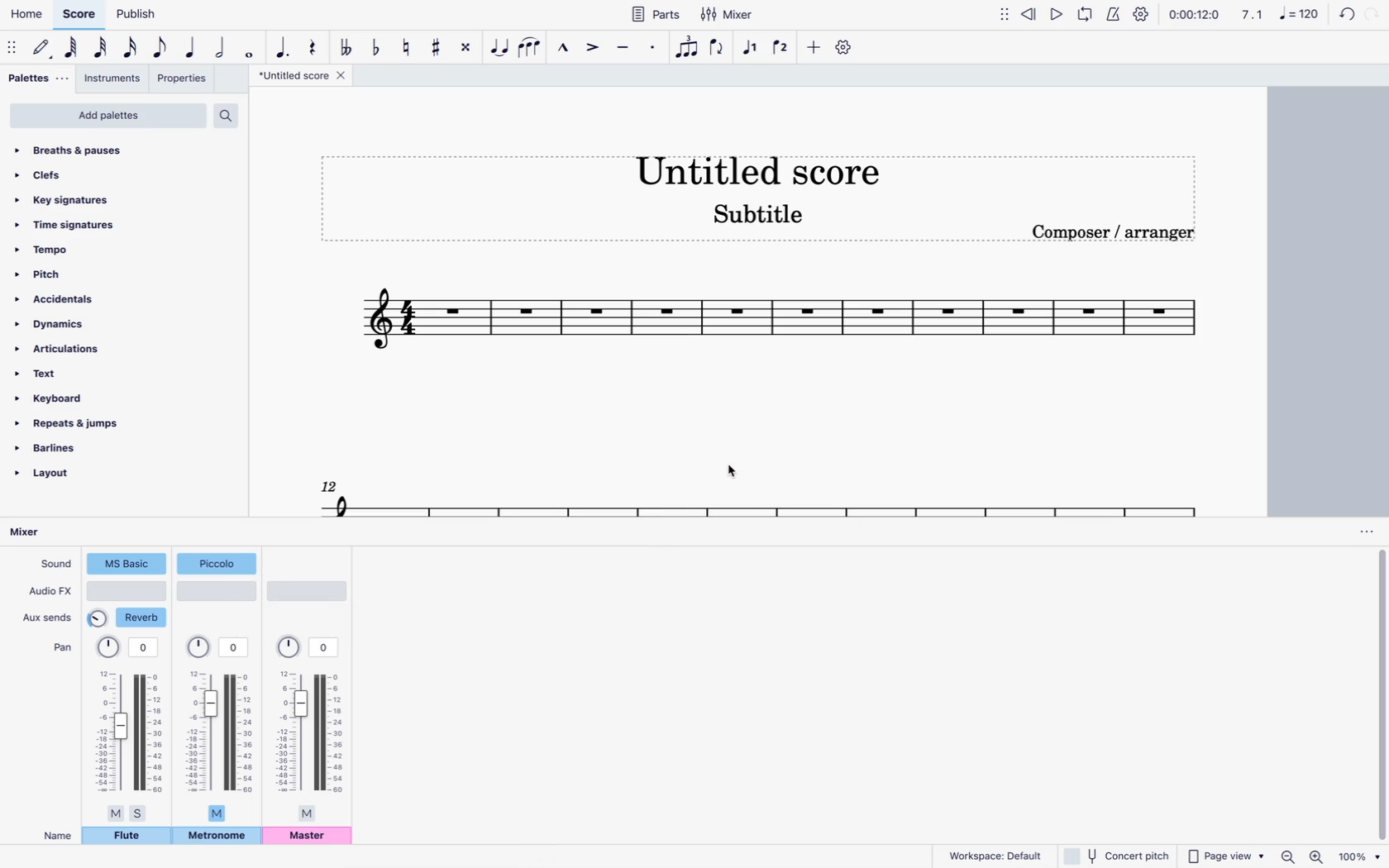 This screenshot has height=868, width=1389. What do you see at coordinates (312, 729) in the screenshot?
I see `pan` at bounding box center [312, 729].